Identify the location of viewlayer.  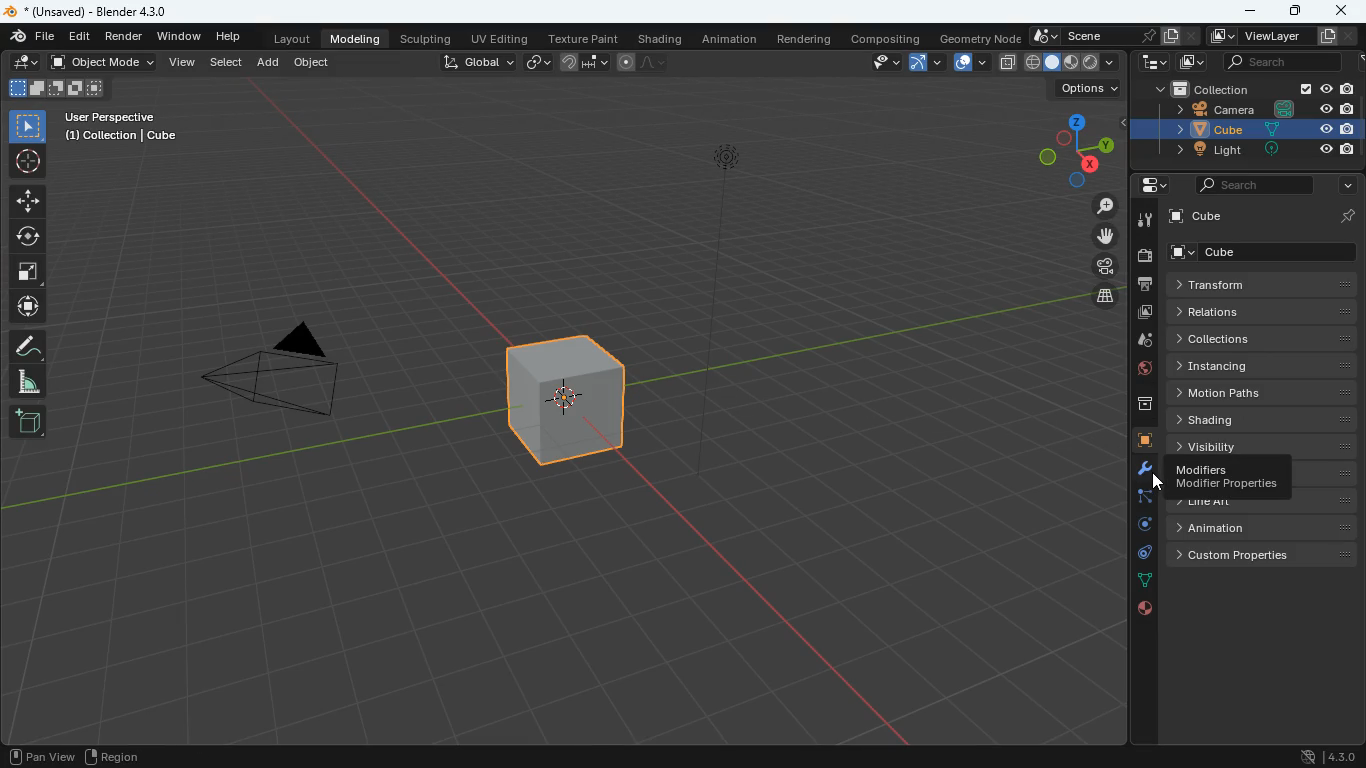
(1283, 37).